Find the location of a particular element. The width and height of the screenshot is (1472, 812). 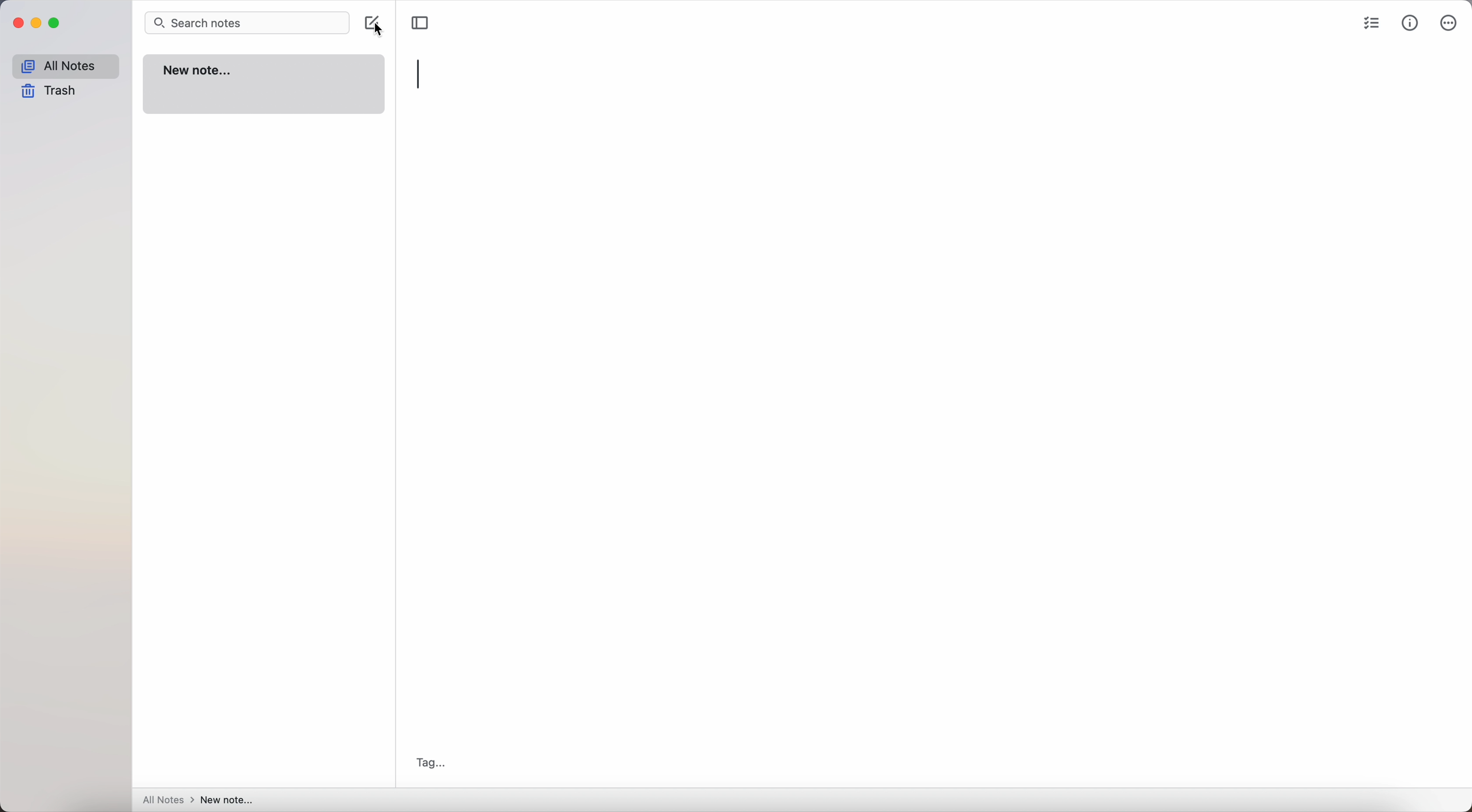

cursor is located at coordinates (373, 26).